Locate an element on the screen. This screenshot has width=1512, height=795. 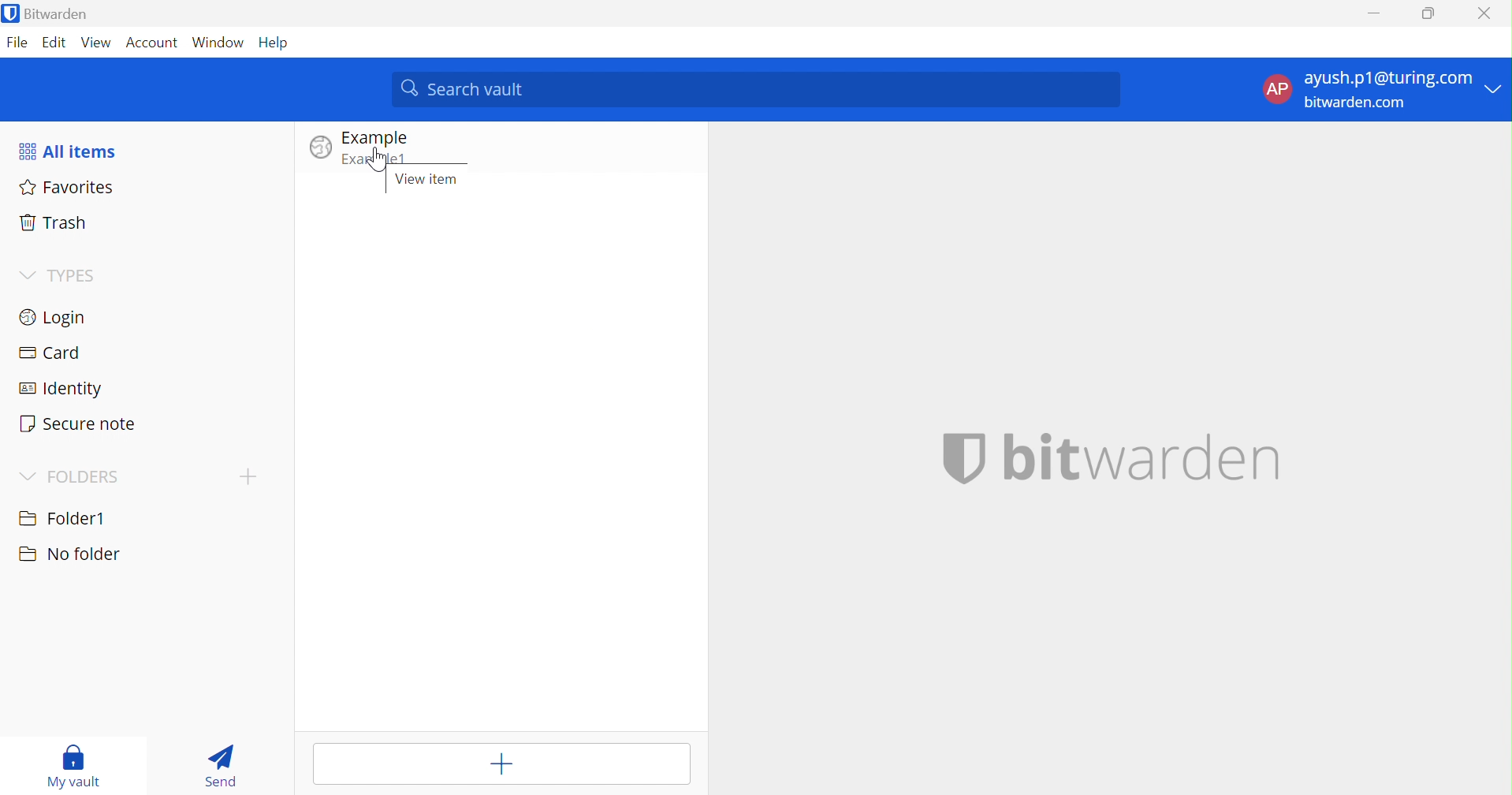
View is located at coordinates (98, 42).